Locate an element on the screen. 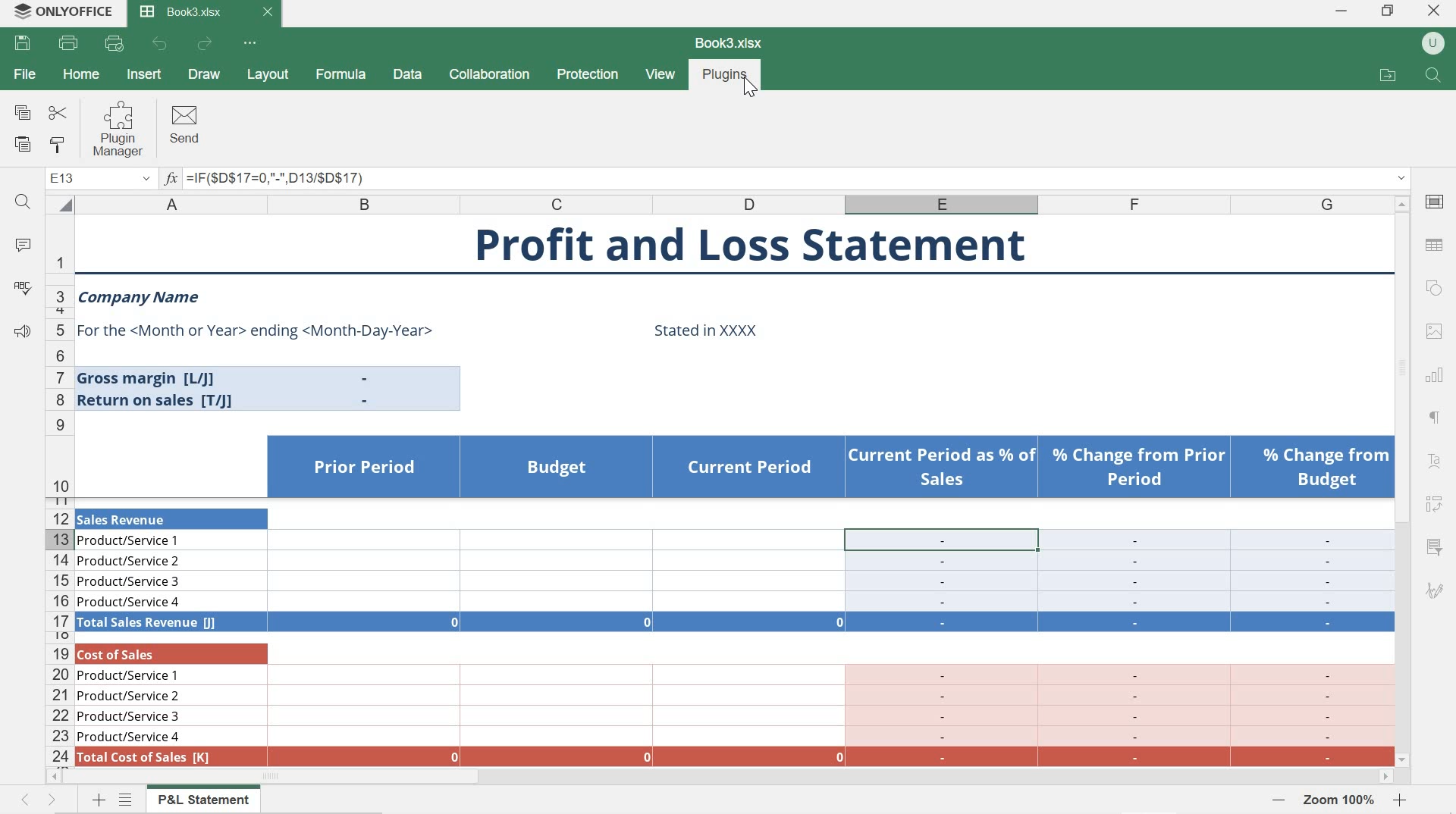 This screenshot has height=814, width=1456. find is located at coordinates (22, 206).